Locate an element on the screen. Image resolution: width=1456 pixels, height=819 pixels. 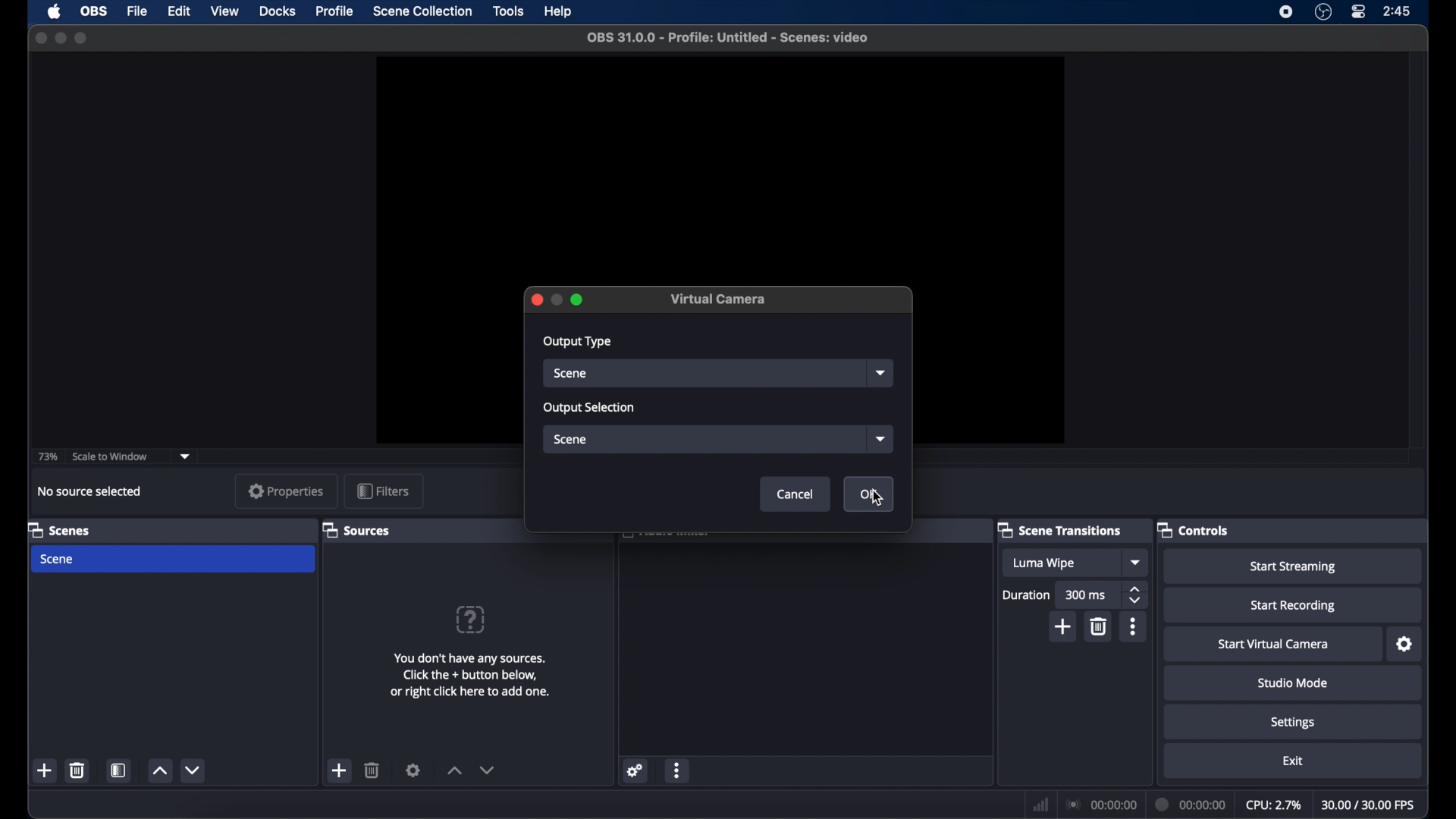
maximize is located at coordinates (83, 38).